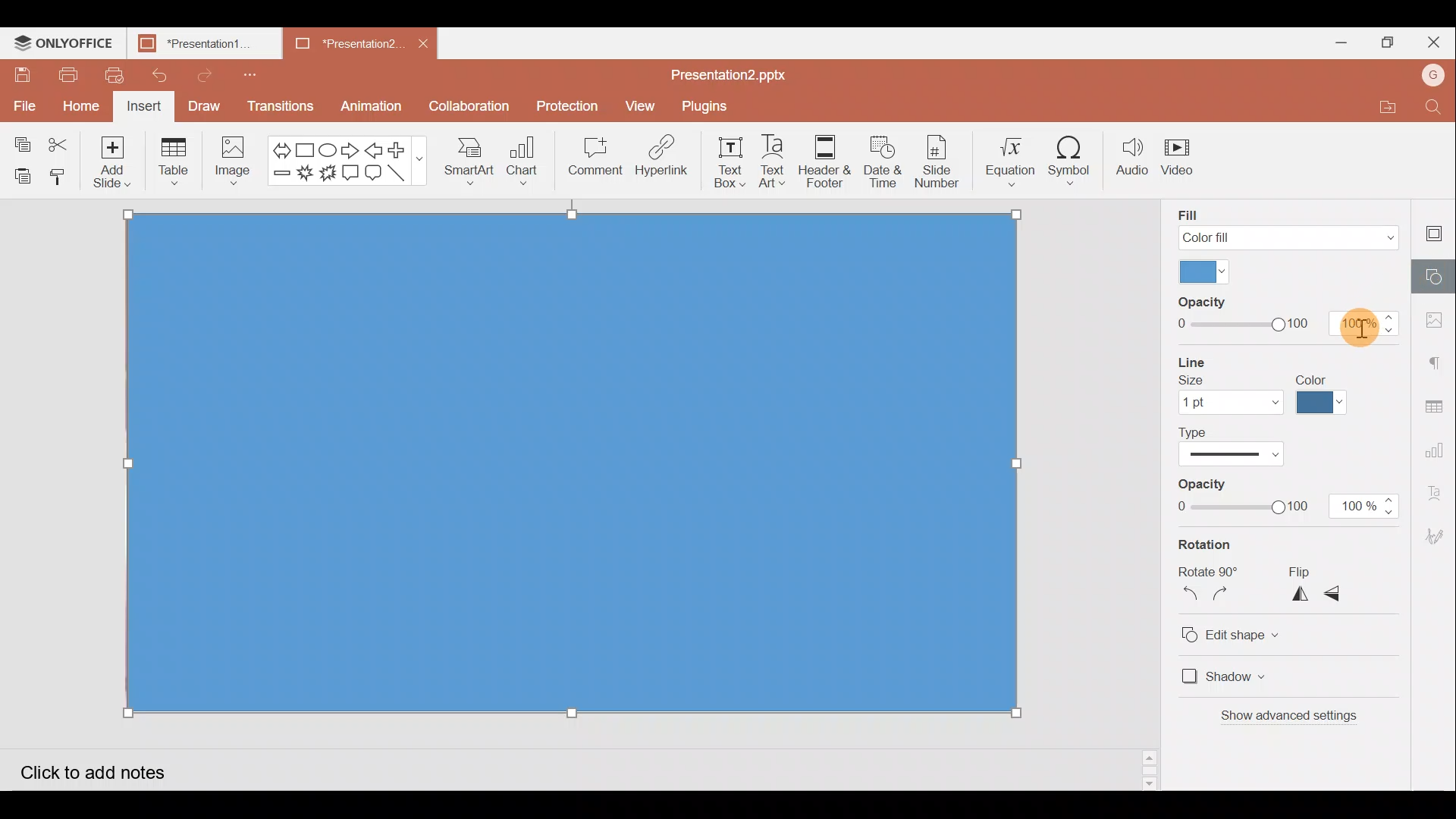 This screenshot has height=819, width=1456. I want to click on Shadow, so click(1224, 677).